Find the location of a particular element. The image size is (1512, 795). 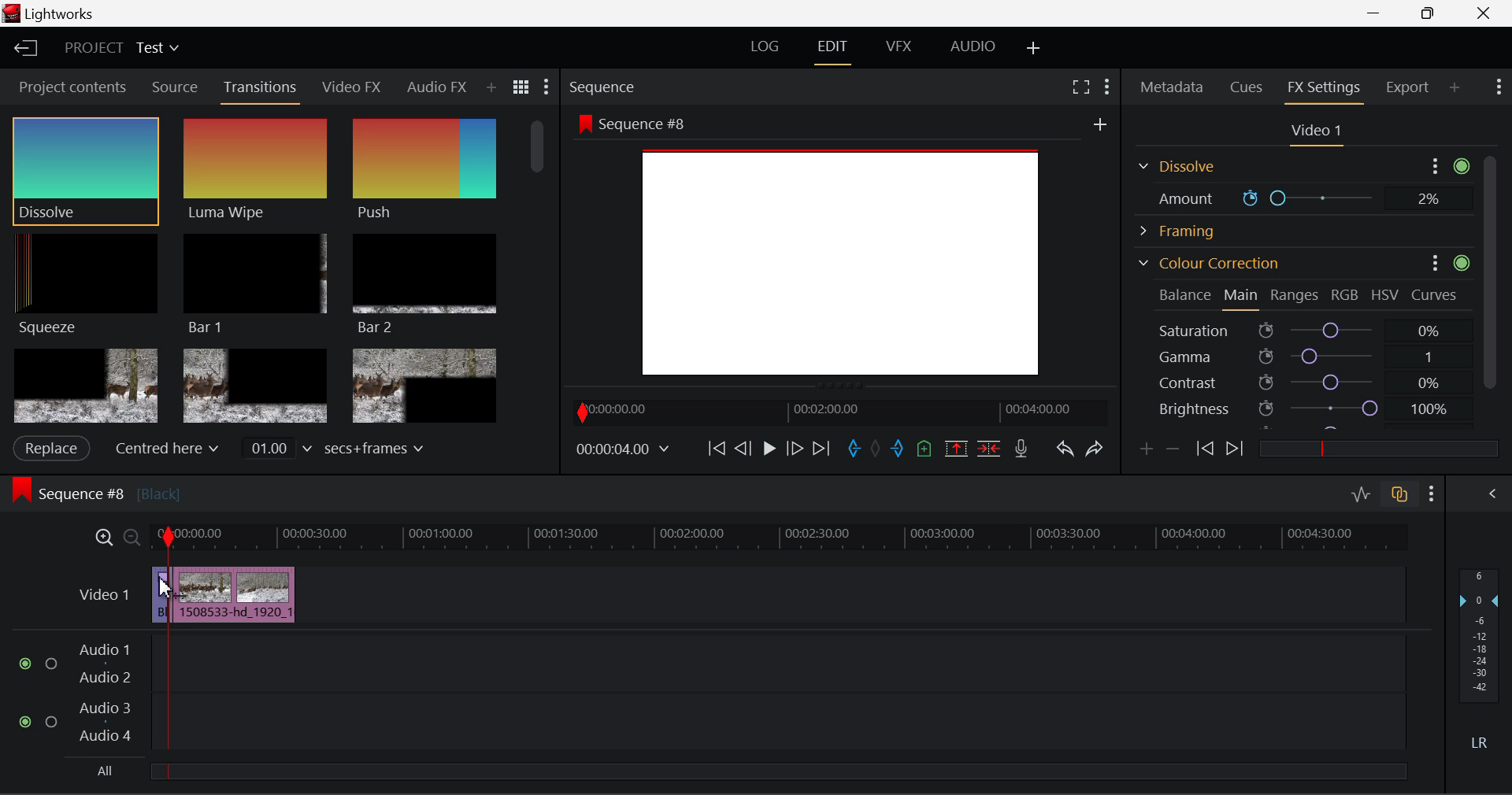

Show Settings is located at coordinates (1106, 84).